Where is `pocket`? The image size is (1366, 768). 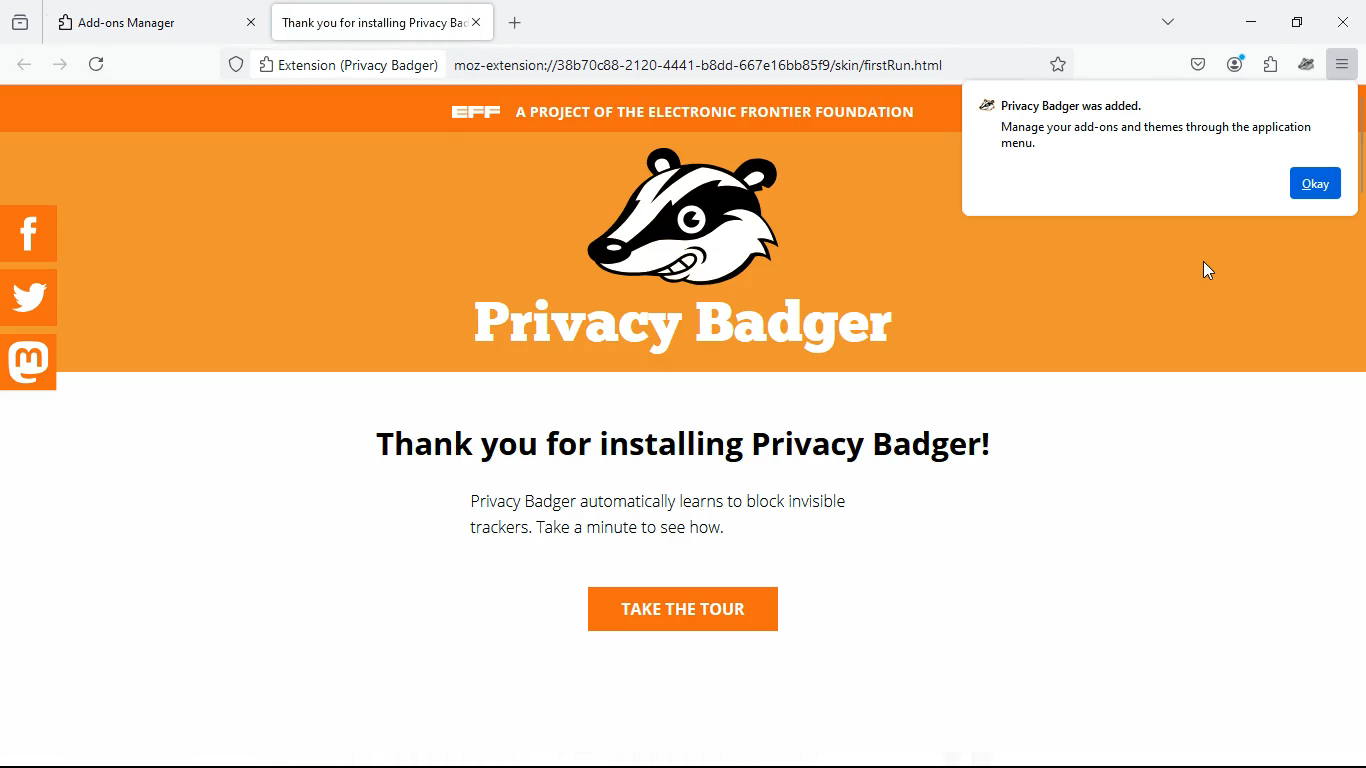
pocket is located at coordinates (1196, 64).